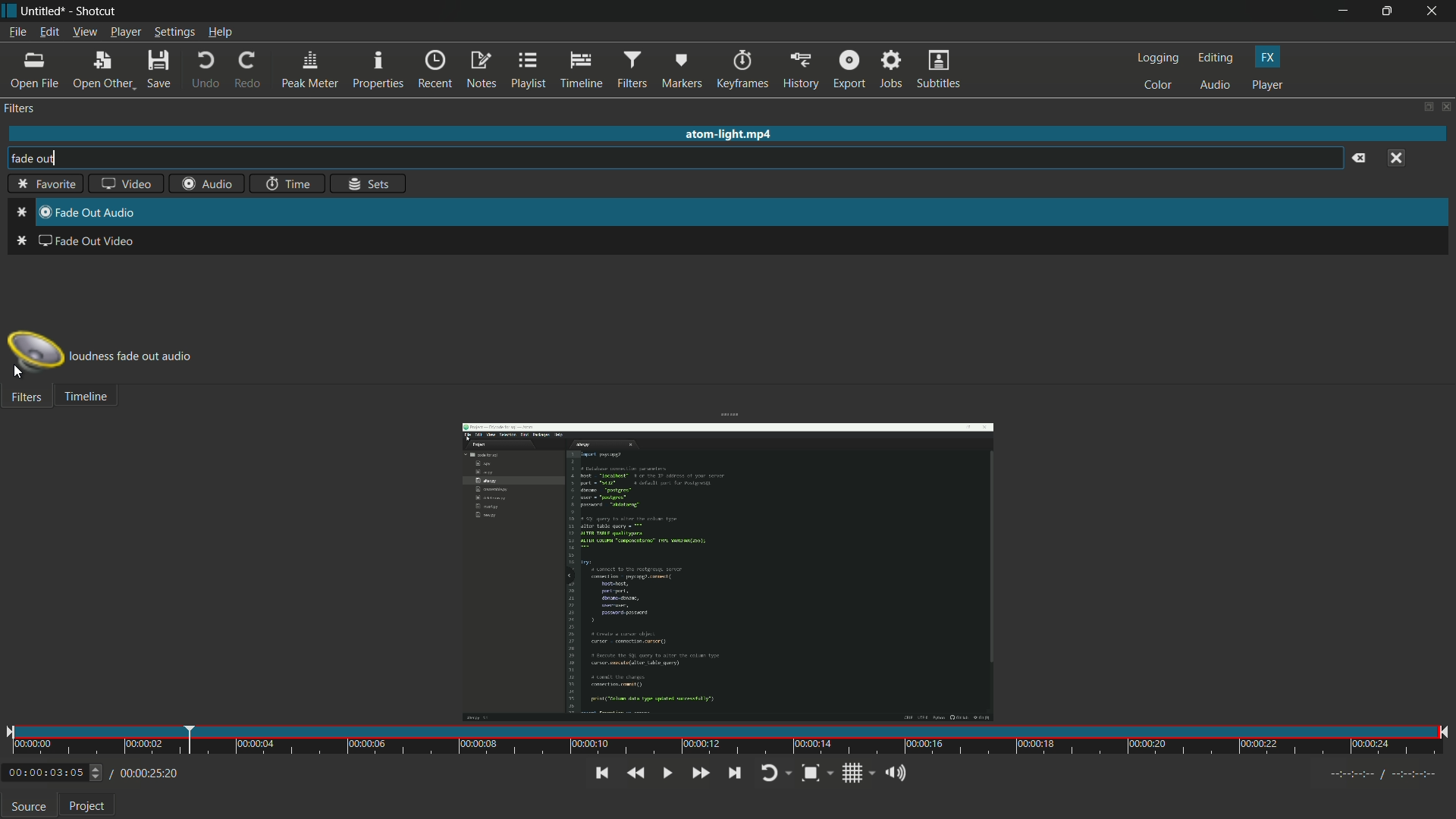  I want to click on edit menu, so click(48, 33).